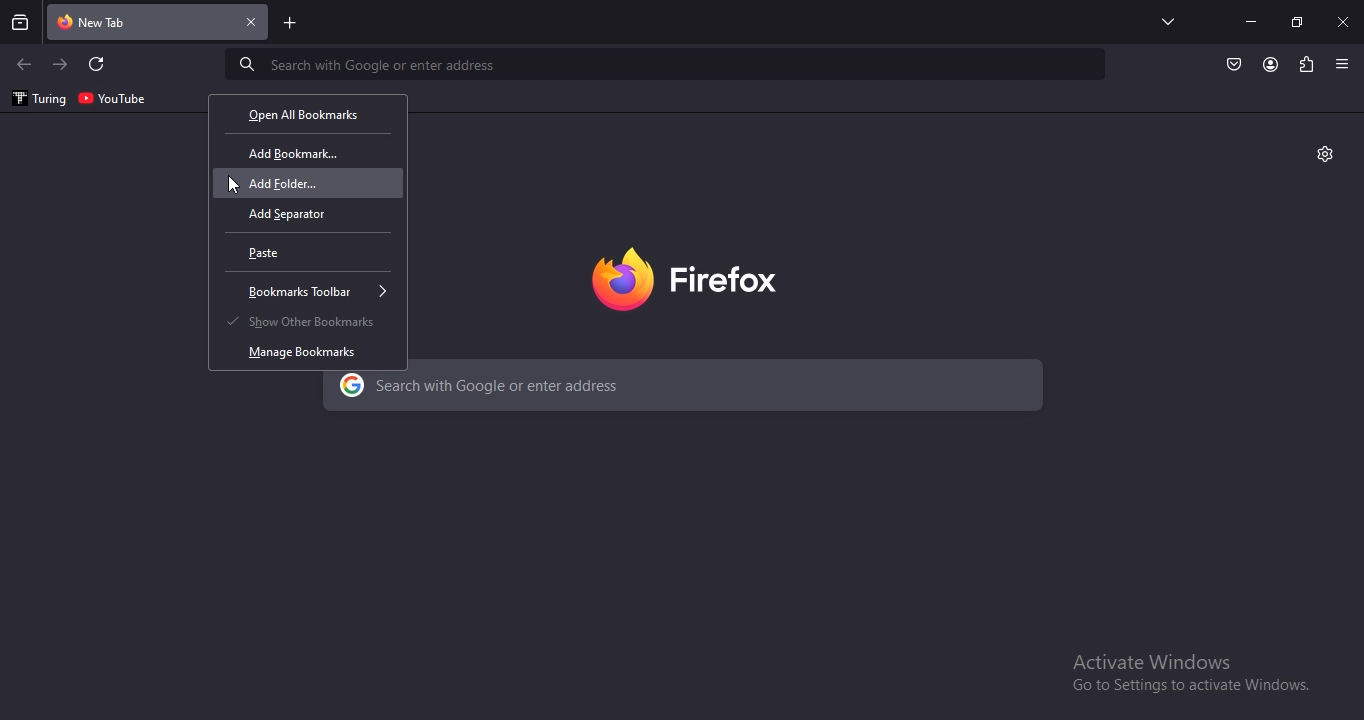 This screenshot has height=720, width=1364. I want to click on search all recent and current tabs, so click(22, 24).